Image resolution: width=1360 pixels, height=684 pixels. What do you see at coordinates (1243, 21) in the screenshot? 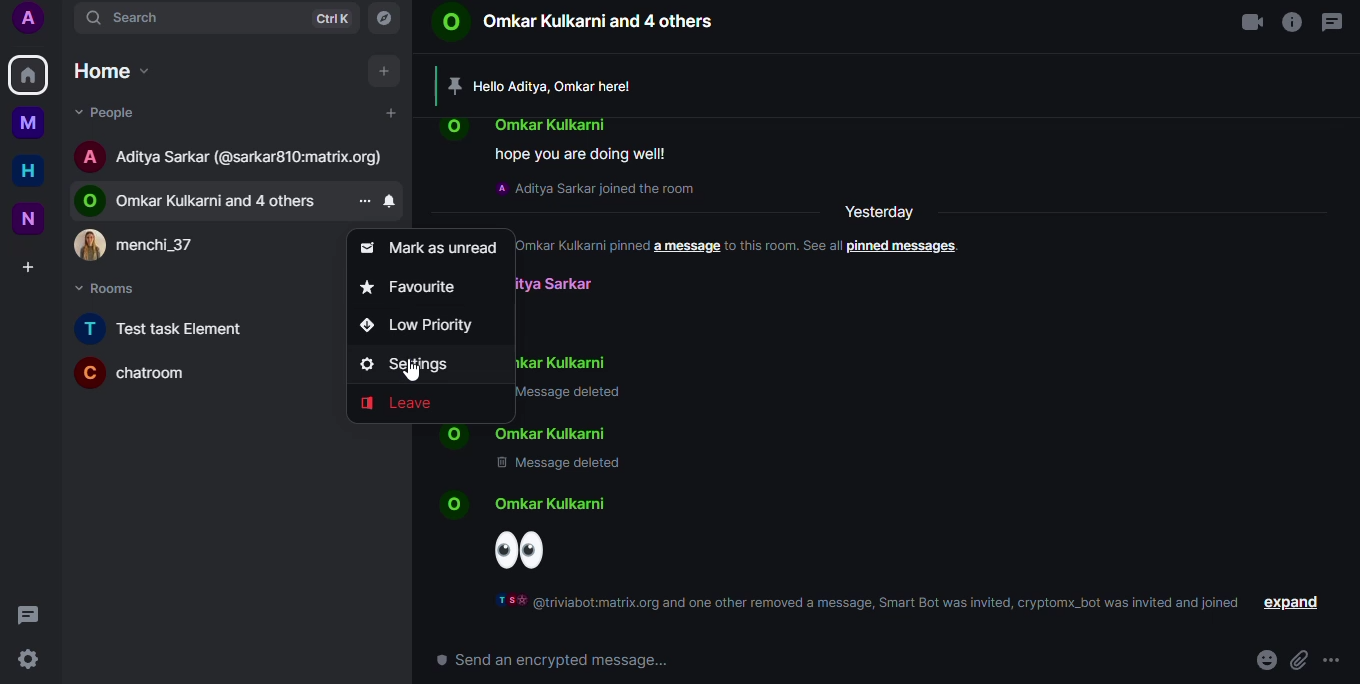
I see `video call` at bounding box center [1243, 21].